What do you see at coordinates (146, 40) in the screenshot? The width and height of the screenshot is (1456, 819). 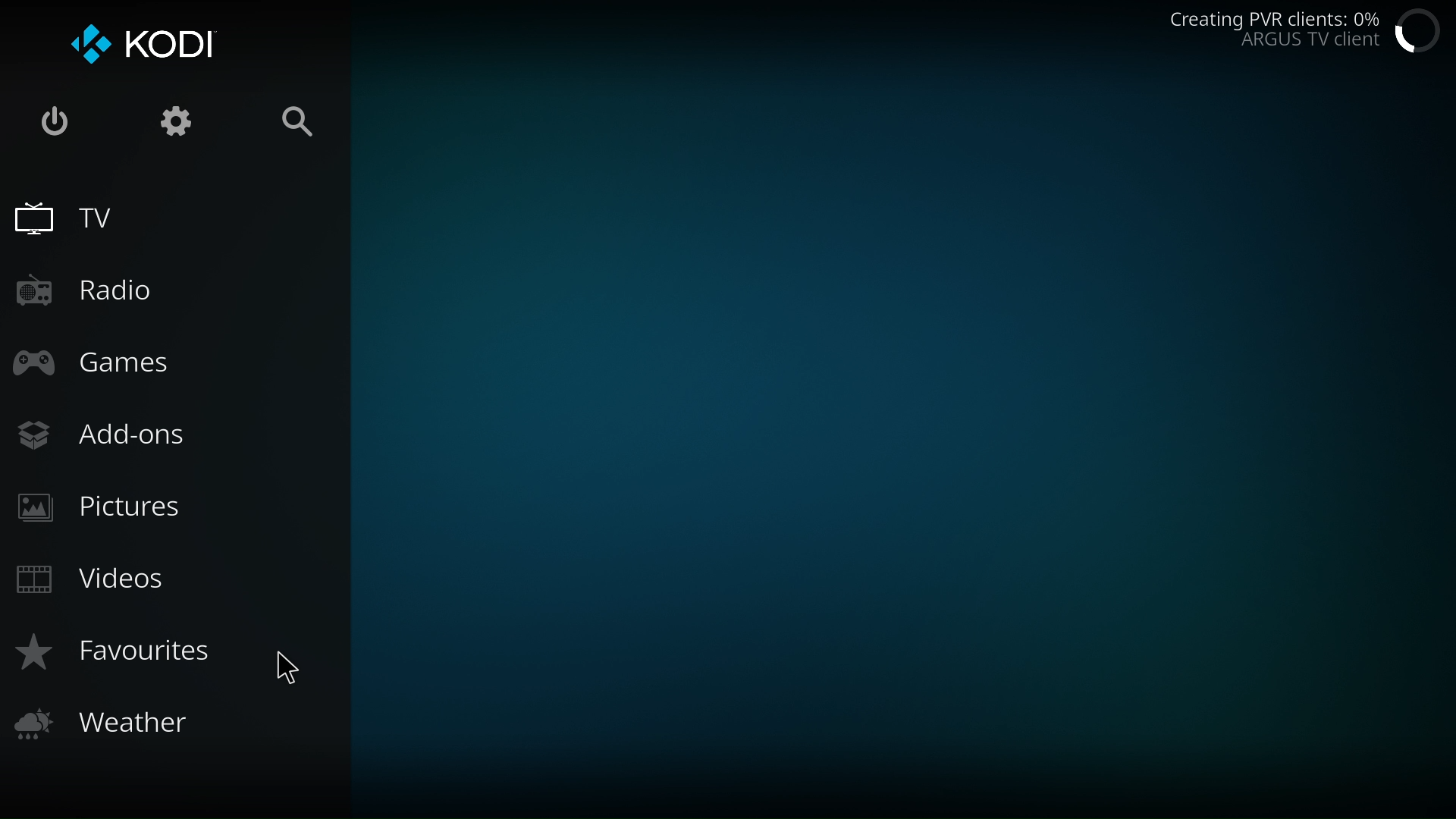 I see `kodi` at bounding box center [146, 40].